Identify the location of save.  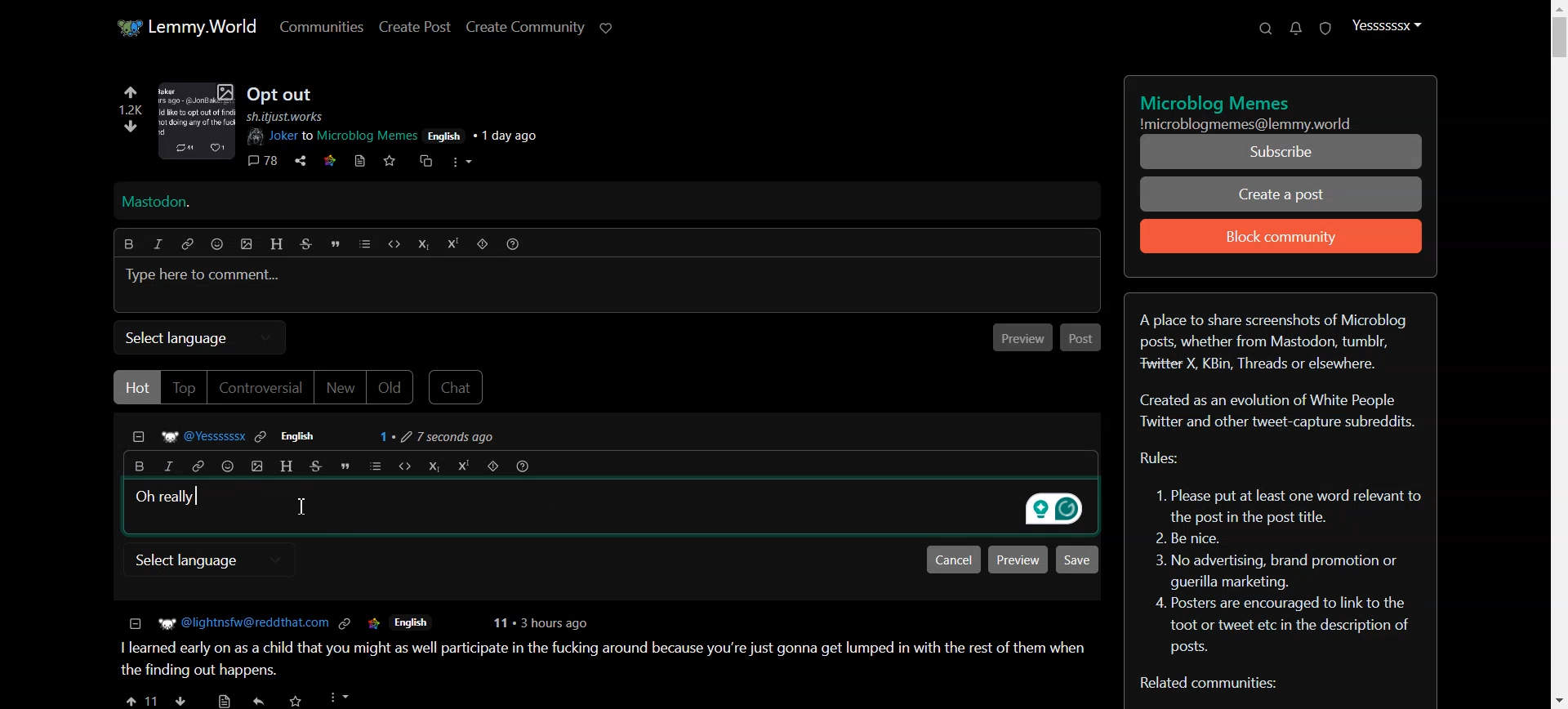
(389, 161).